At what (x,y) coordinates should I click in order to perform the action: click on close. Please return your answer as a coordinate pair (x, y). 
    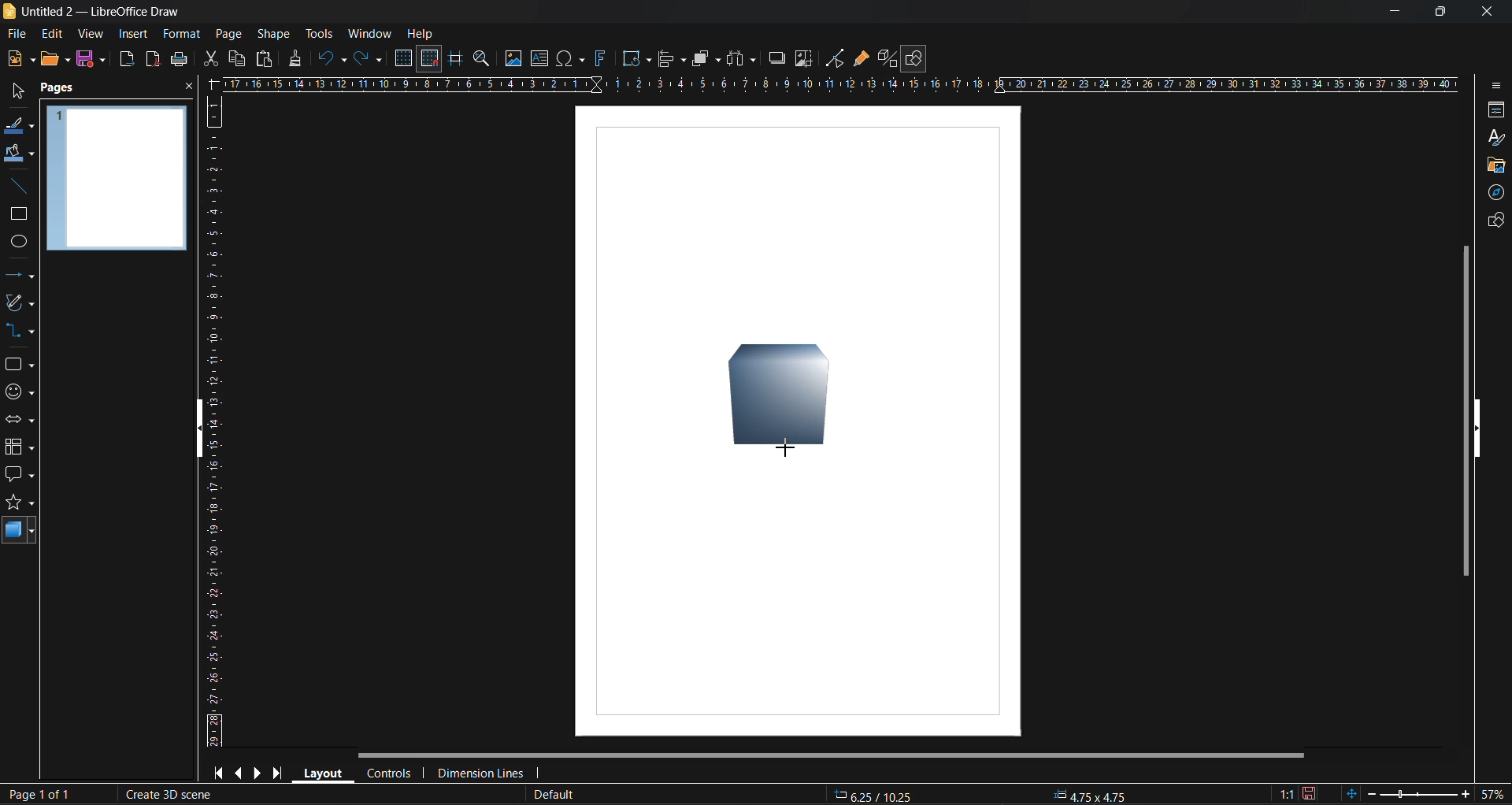
    Looking at the image, I should click on (187, 90).